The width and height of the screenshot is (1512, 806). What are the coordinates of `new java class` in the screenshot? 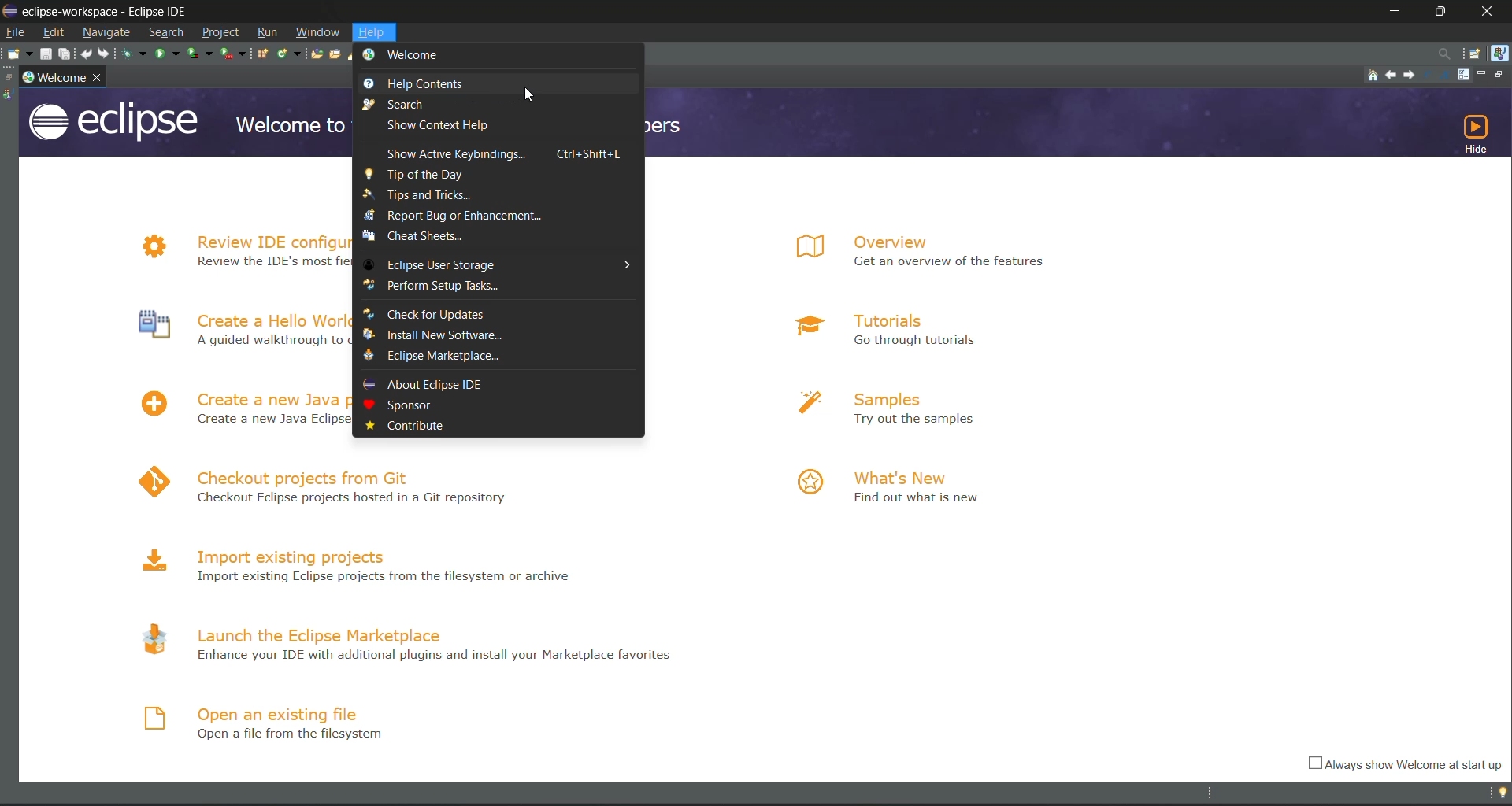 It's located at (287, 54).